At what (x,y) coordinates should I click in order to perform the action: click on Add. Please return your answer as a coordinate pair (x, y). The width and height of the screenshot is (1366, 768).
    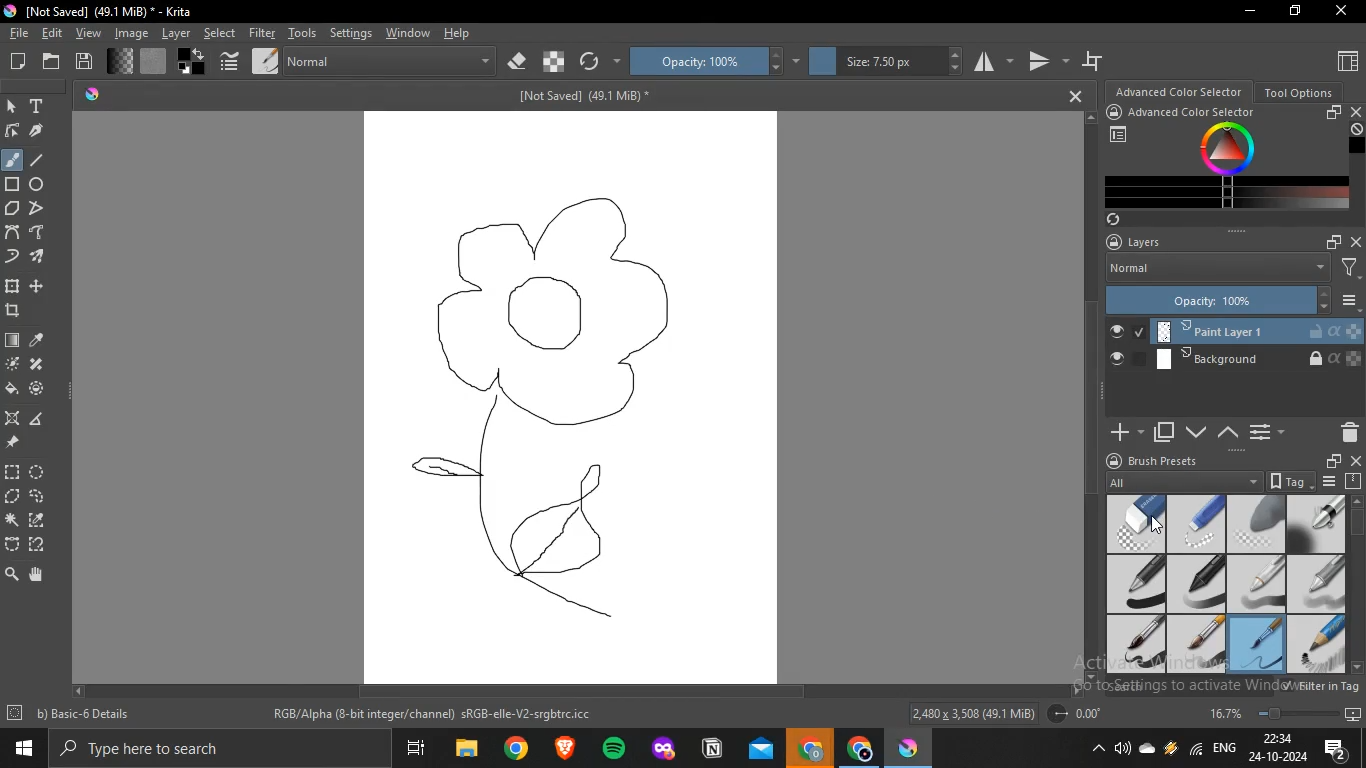
    Looking at the image, I should click on (1123, 426).